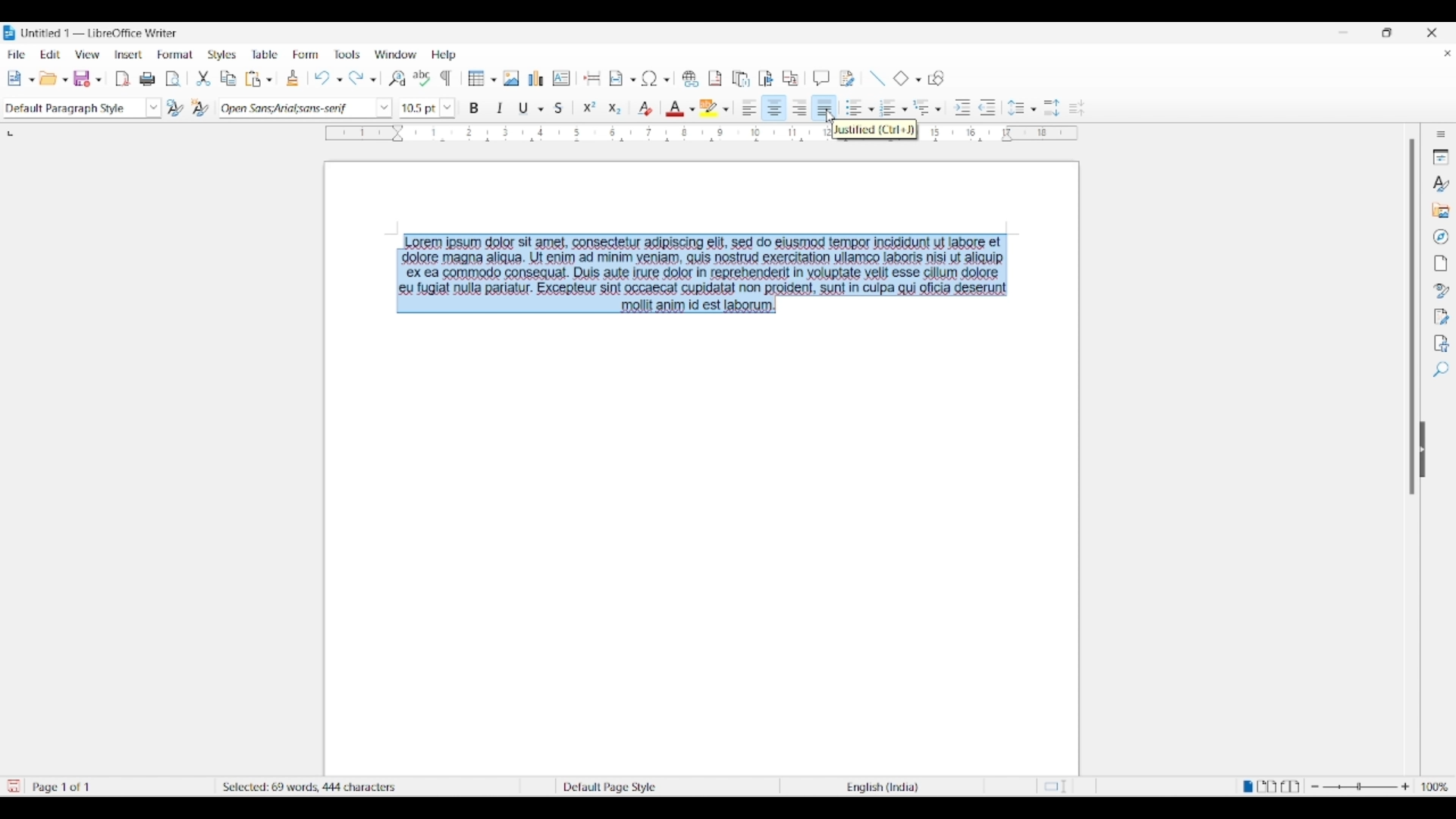 Image resolution: width=1456 pixels, height=819 pixels. What do you see at coordinates (690, 79) in the screenshot?
I see `Insert hyperlink` at bounding box center [690, 79].